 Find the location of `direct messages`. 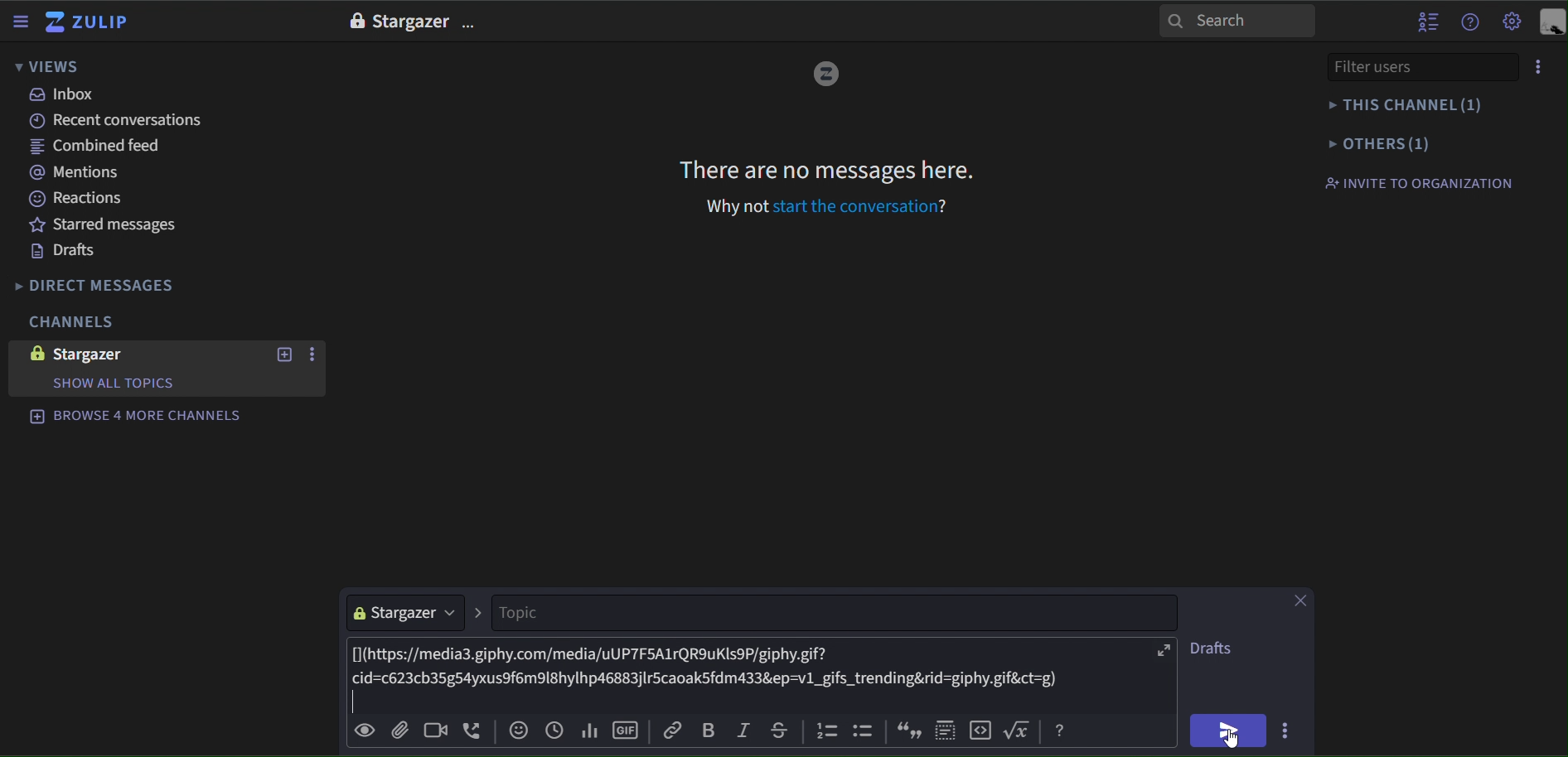

direct messages is located at coordinates (109, 286).